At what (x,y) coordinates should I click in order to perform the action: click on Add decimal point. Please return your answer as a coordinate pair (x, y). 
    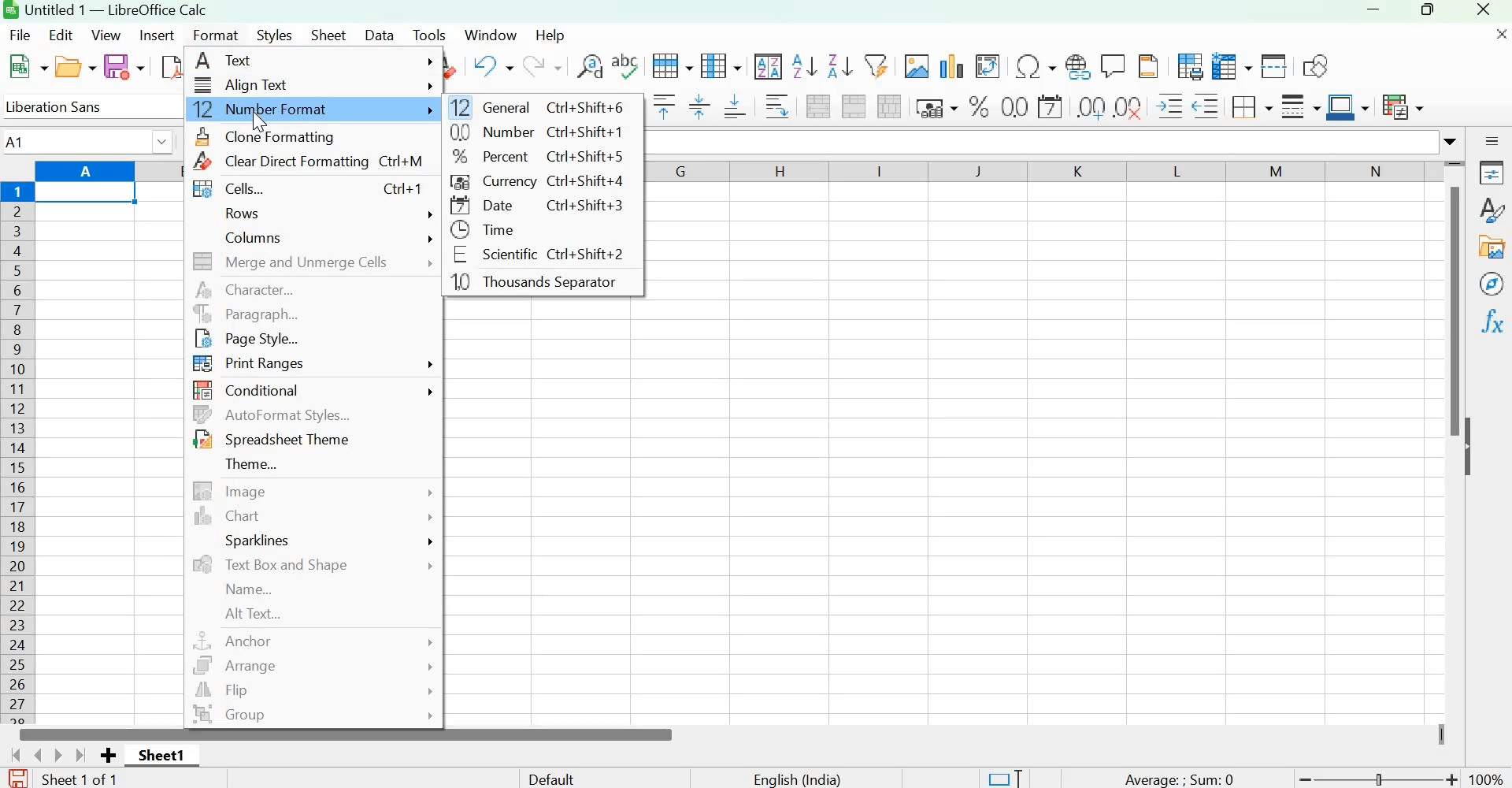
    Looking at the image, I should click on (1086, 106).